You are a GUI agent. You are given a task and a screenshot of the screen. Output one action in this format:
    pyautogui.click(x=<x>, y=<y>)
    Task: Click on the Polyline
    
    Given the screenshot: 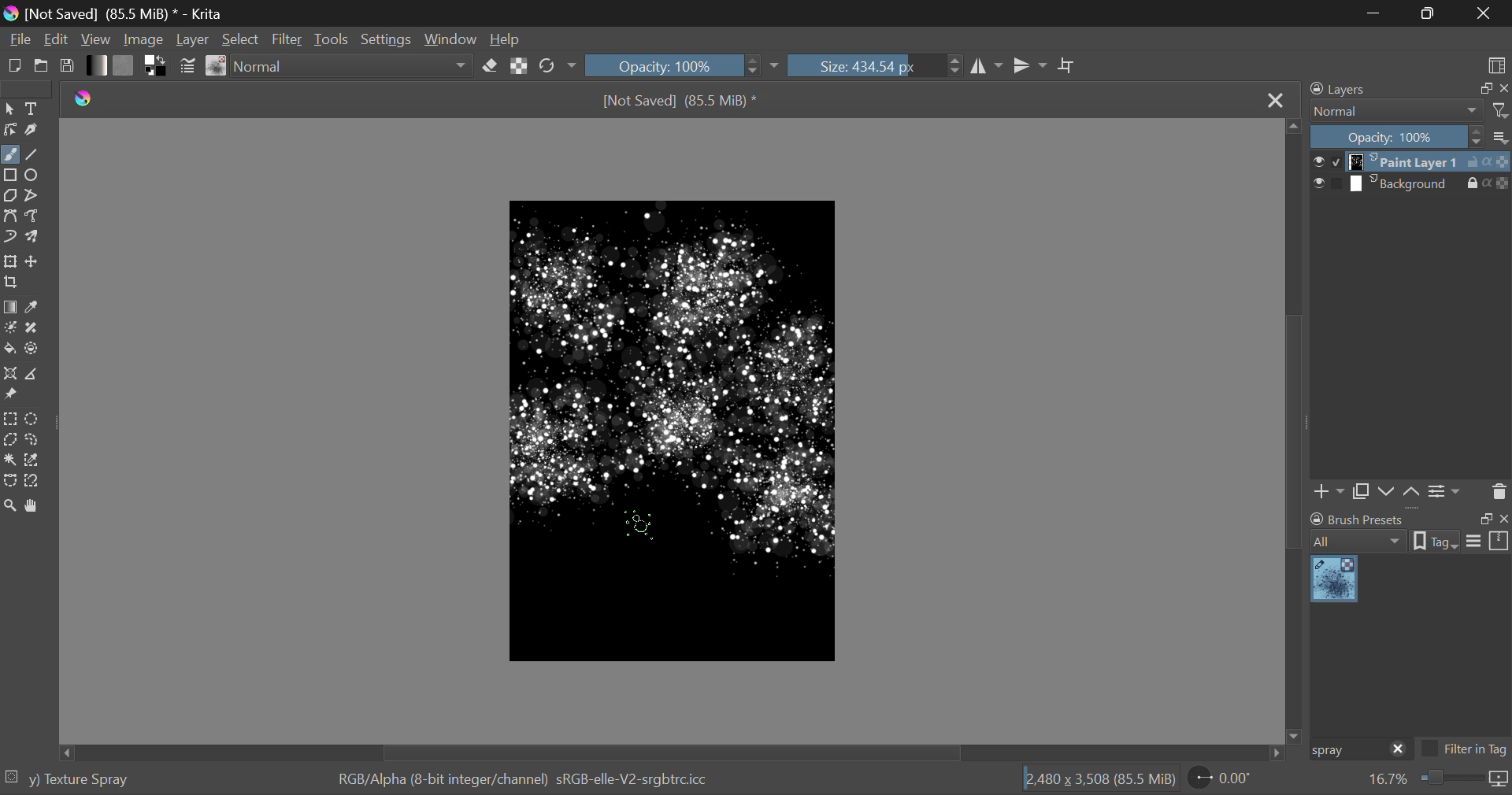 What is the action you would take?
    pyautogui.click(x=33, y=196)
    